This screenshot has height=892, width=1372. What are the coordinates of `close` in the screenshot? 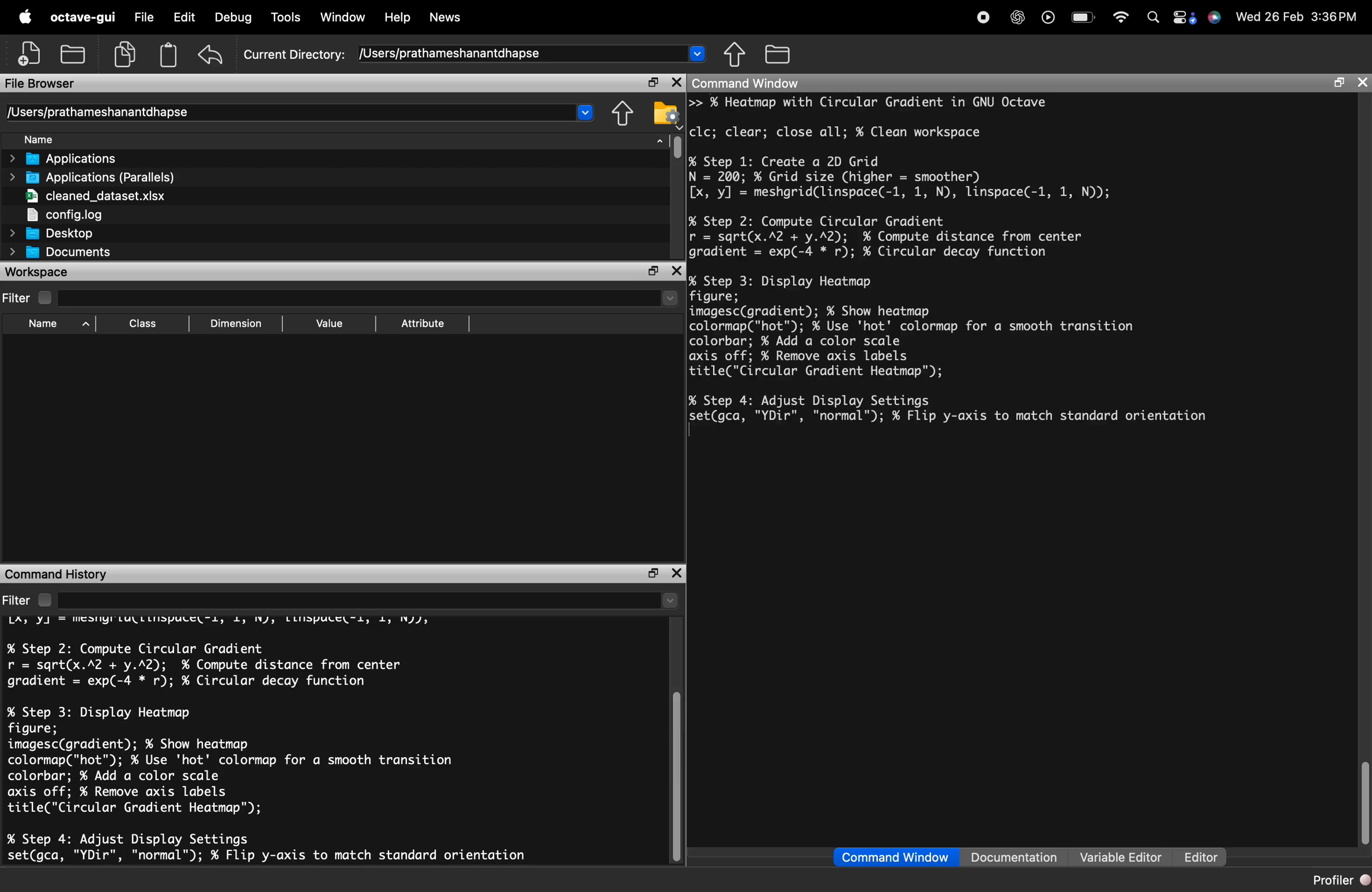 It's located at (1360, 83).